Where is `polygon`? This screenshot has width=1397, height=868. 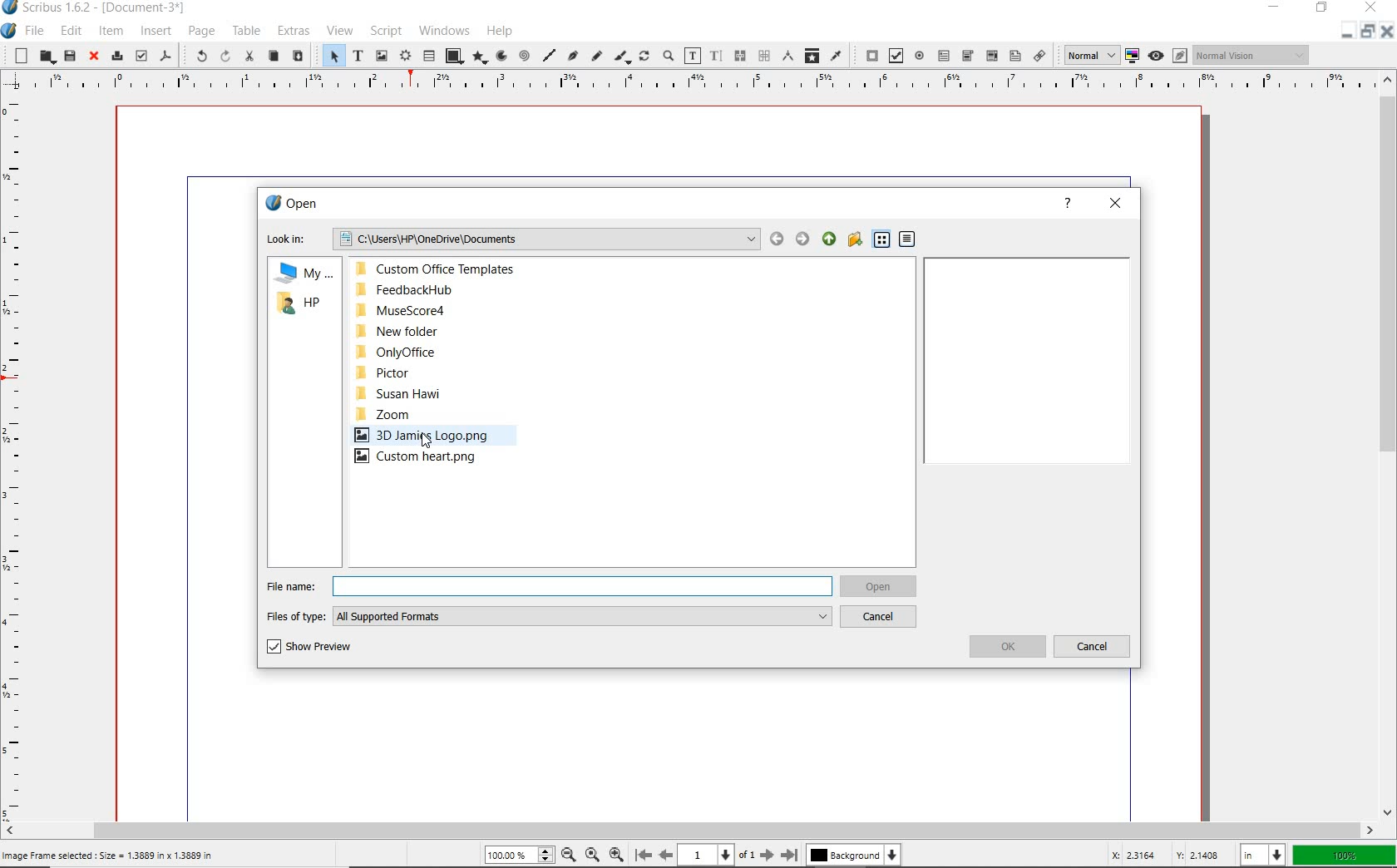 polygon is located at coordinates (480, 57).